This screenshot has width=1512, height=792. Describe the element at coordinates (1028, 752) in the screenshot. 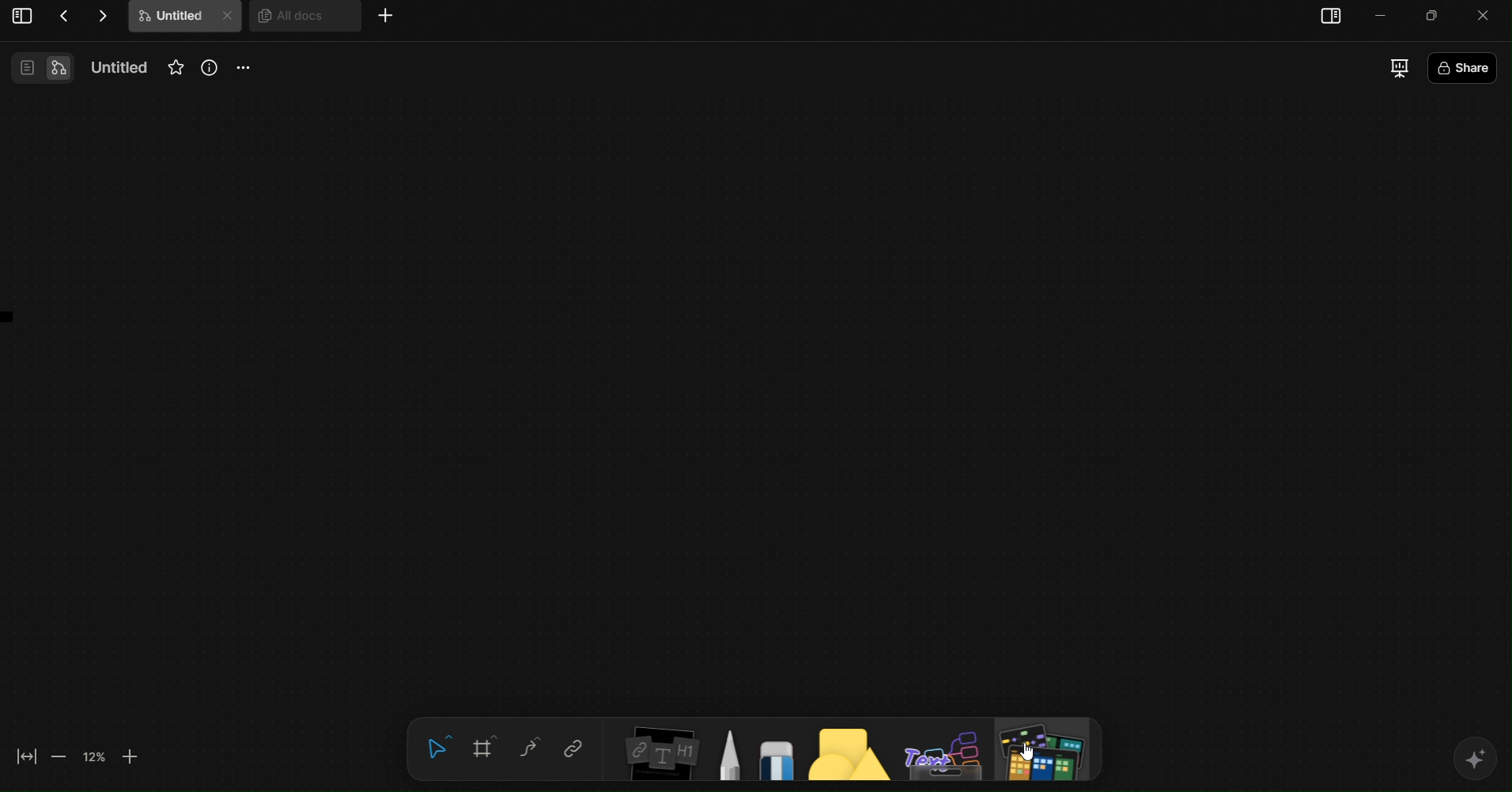

I see `cursor` at that location.